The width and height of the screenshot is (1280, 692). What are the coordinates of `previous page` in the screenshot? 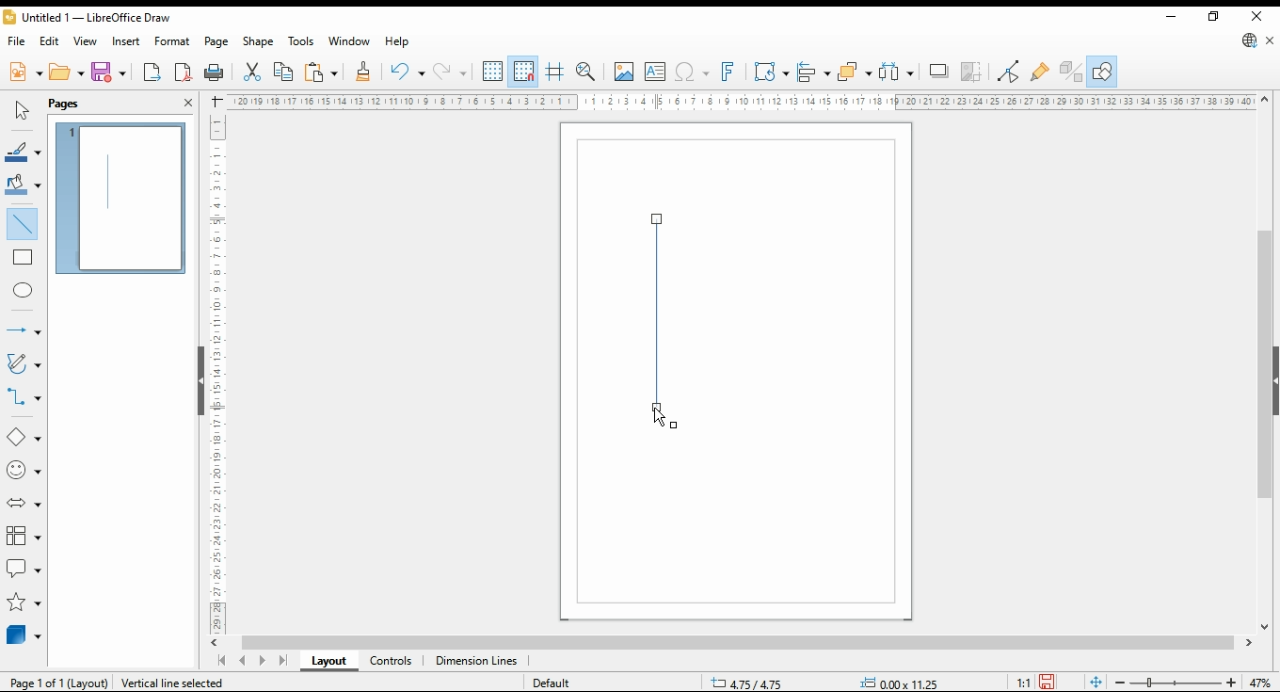 It's located at (242, 662).